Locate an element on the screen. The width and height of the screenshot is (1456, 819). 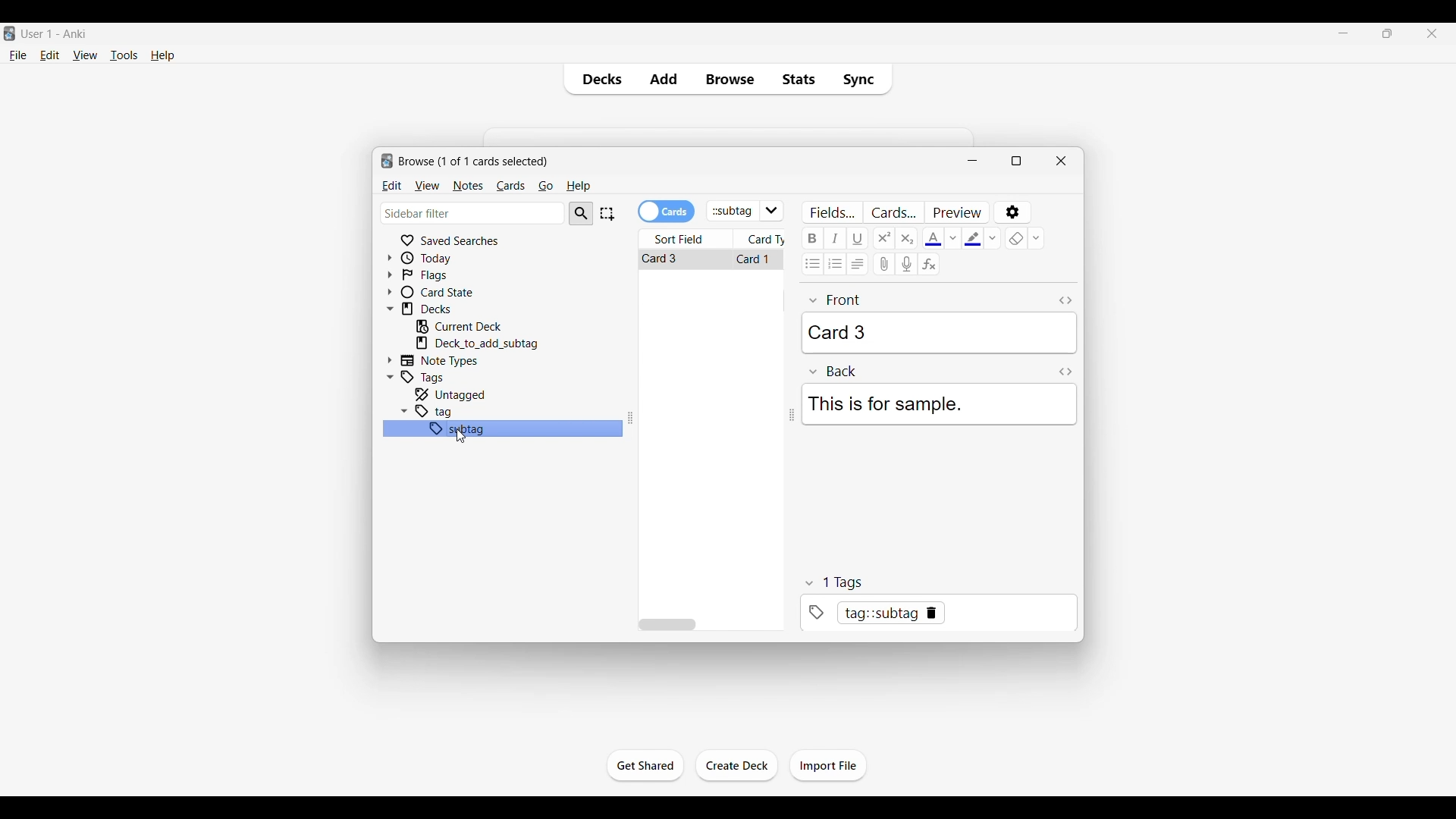
Preview selected card is located at coordinates (956, 212).